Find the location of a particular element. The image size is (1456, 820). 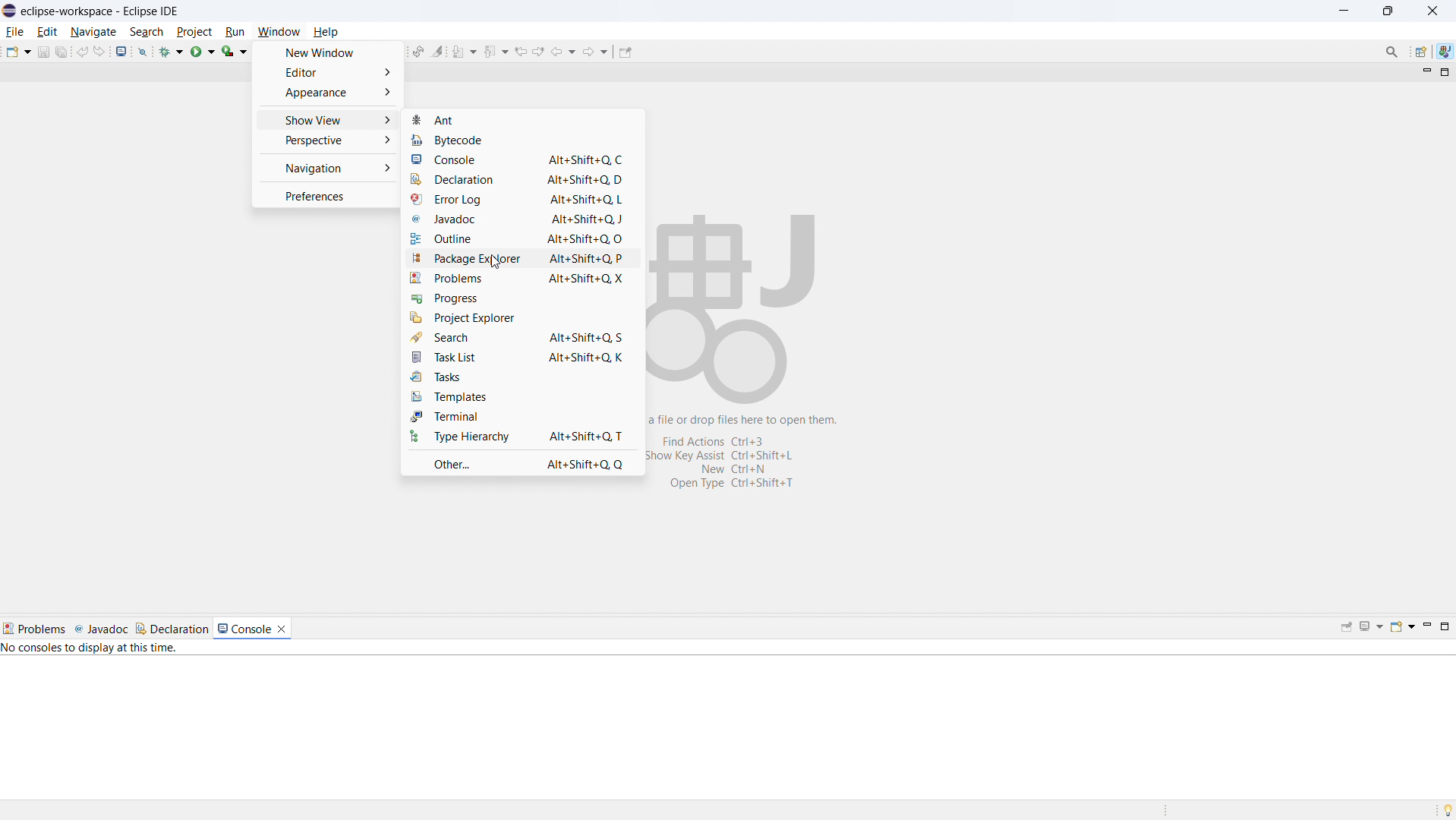

close is located at coordinates (1433, 10).